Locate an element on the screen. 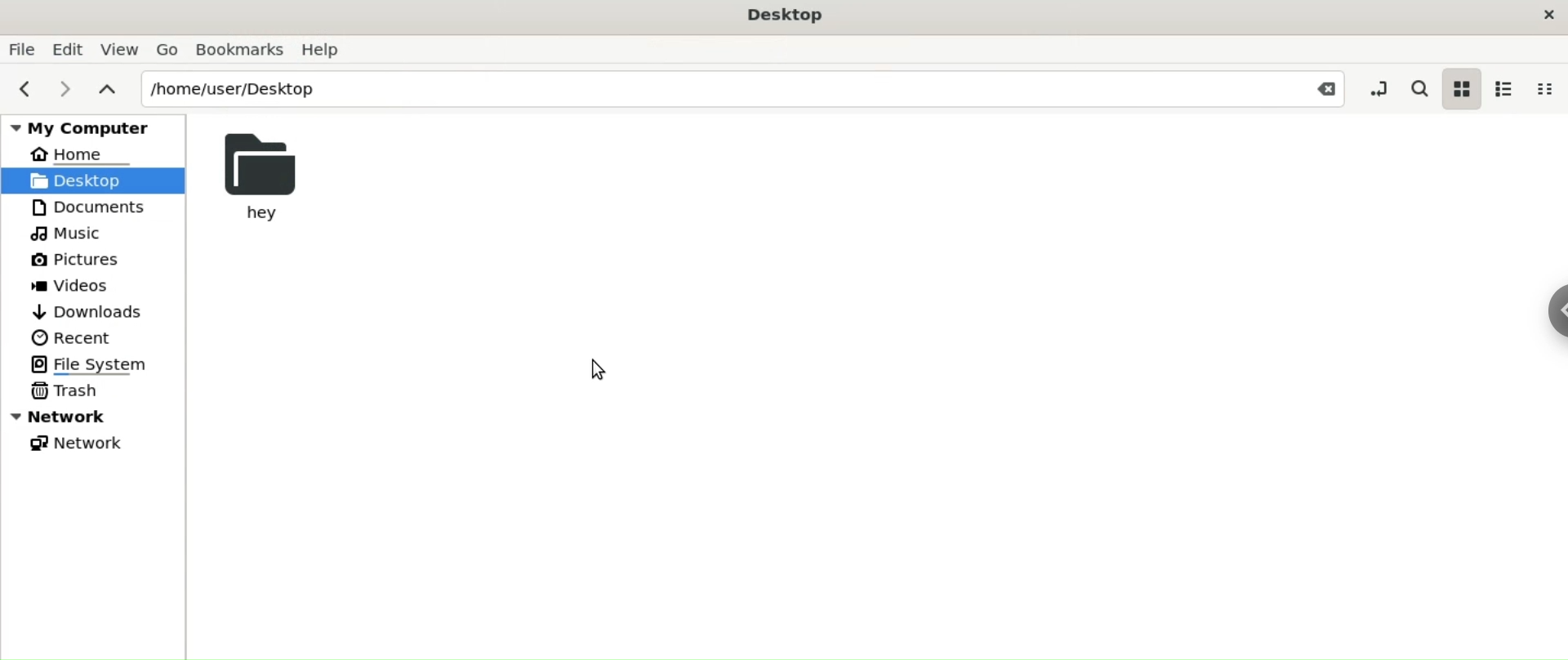 The image size is (1568, 660). Pictures is located at coordinates (77, 256).